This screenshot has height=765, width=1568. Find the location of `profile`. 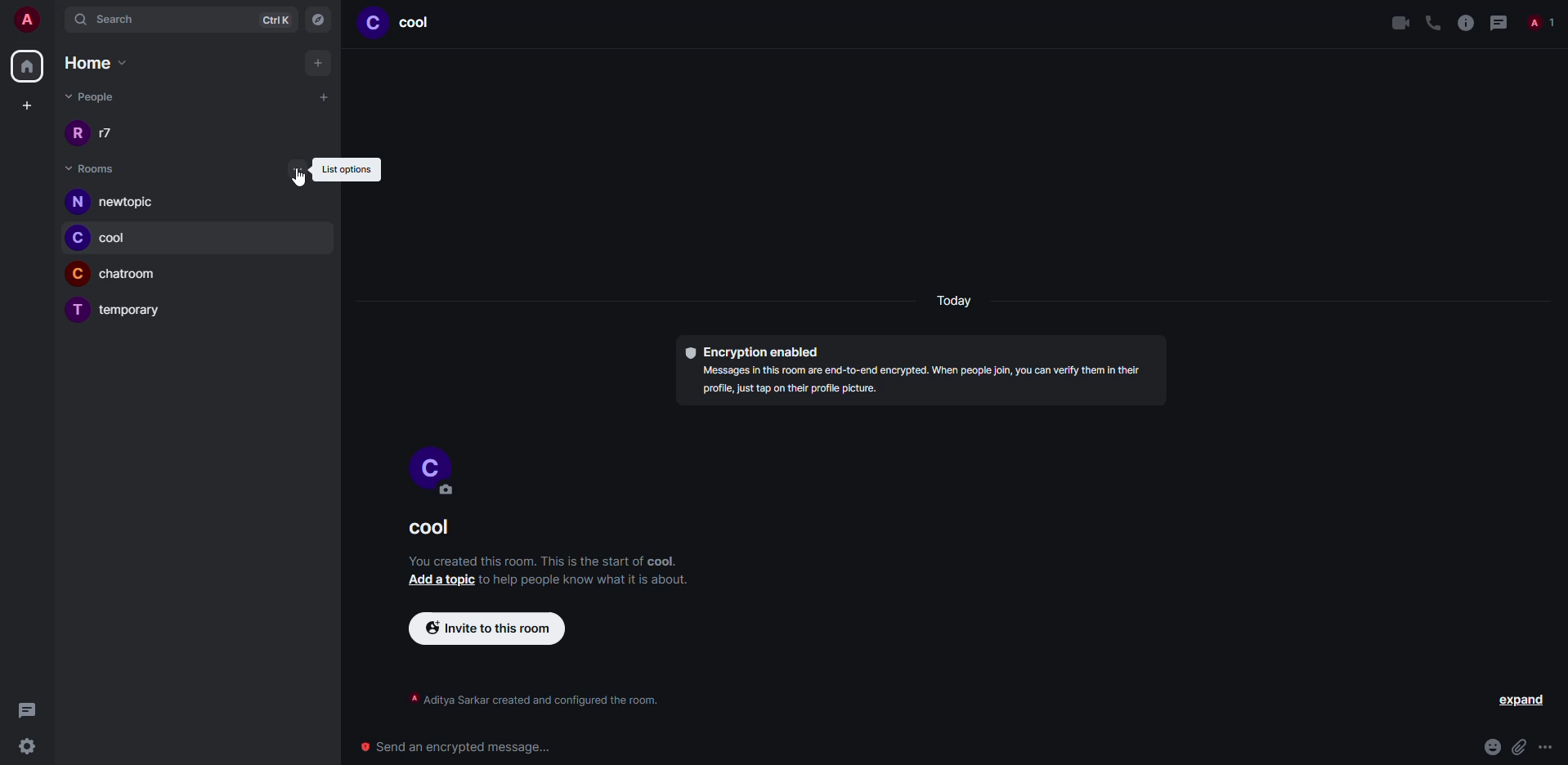

profile is located at coordinates (438, 463).